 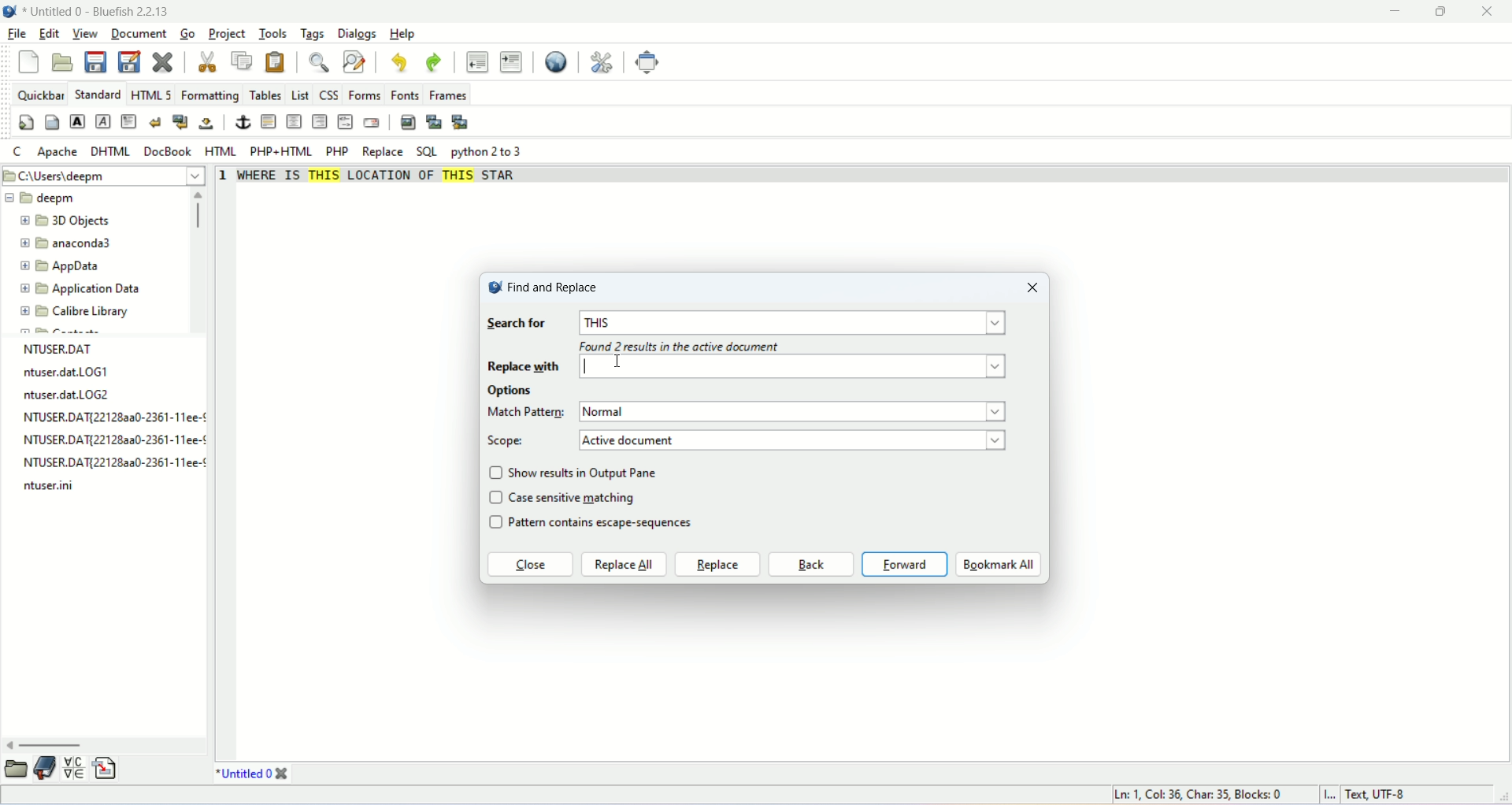 What do you see at coordinates (434, 63) in the screenshot?
I see `redo` at bounding box center [434, 63].